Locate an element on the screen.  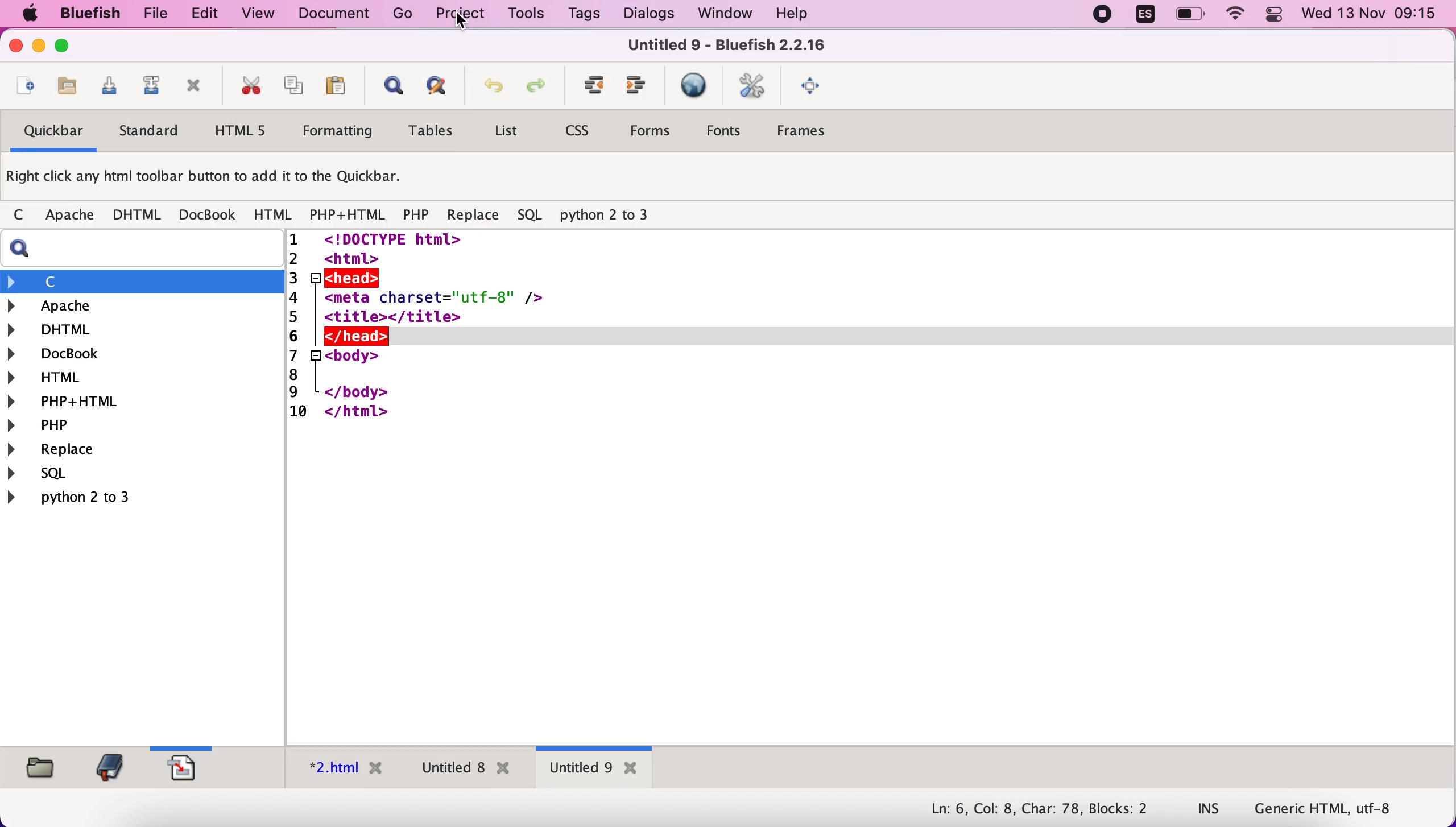
title is located at coordinates (725, 48).